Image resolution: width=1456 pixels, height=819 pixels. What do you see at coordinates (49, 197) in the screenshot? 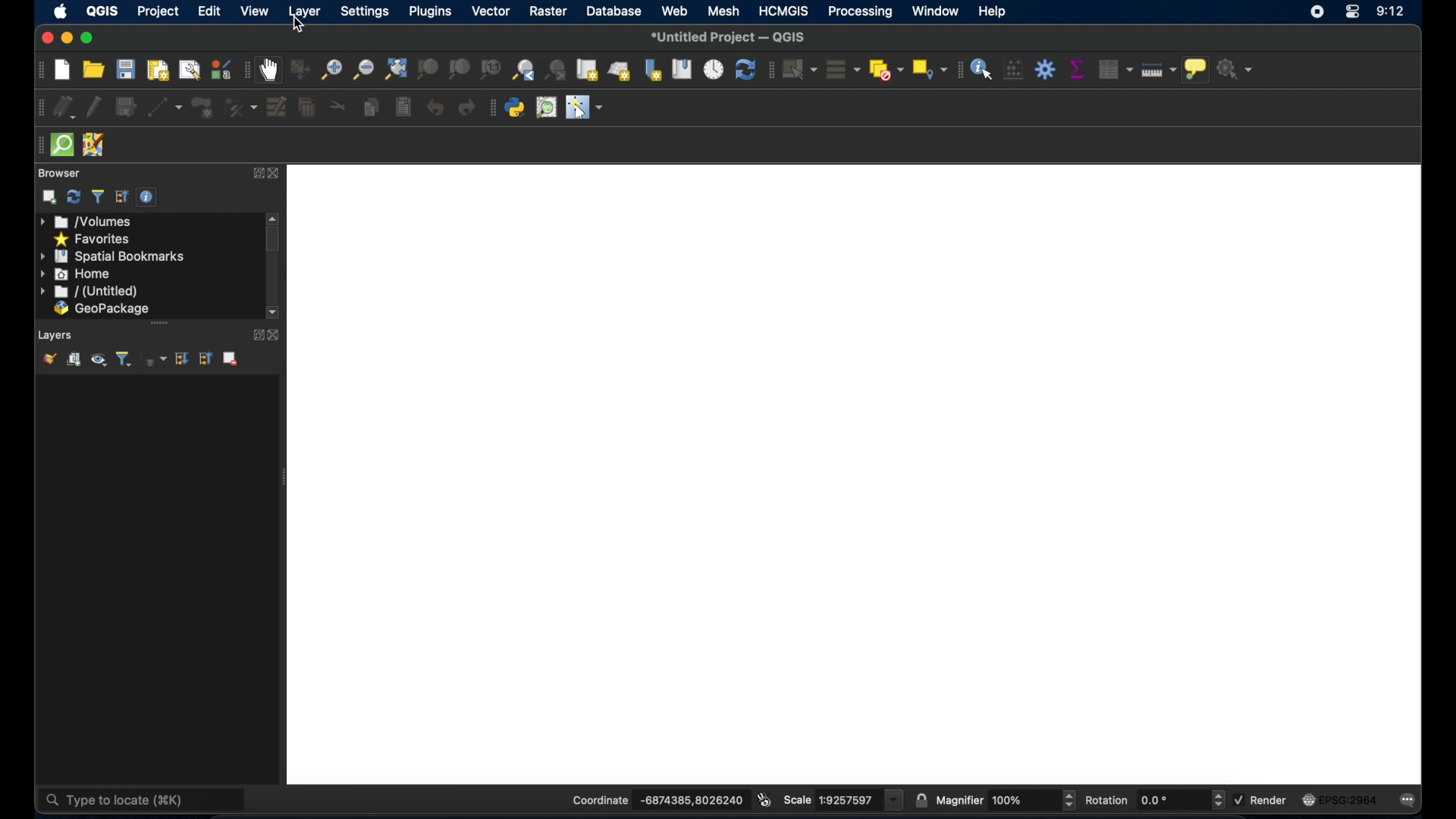
I see `addselected layers` at bounding box center [49, 197].